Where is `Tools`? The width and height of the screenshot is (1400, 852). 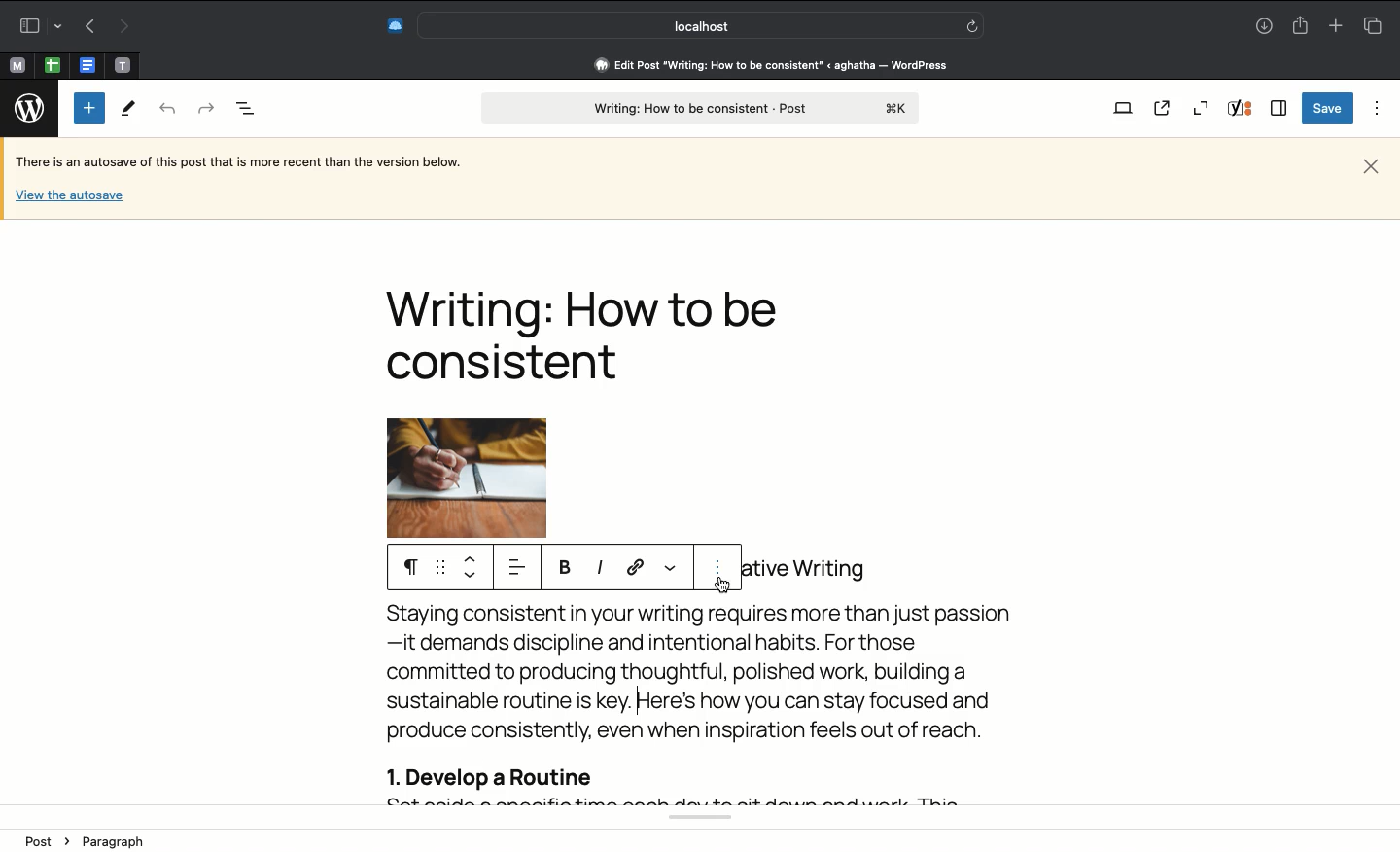 Tools is located at coordinates (129, 110).